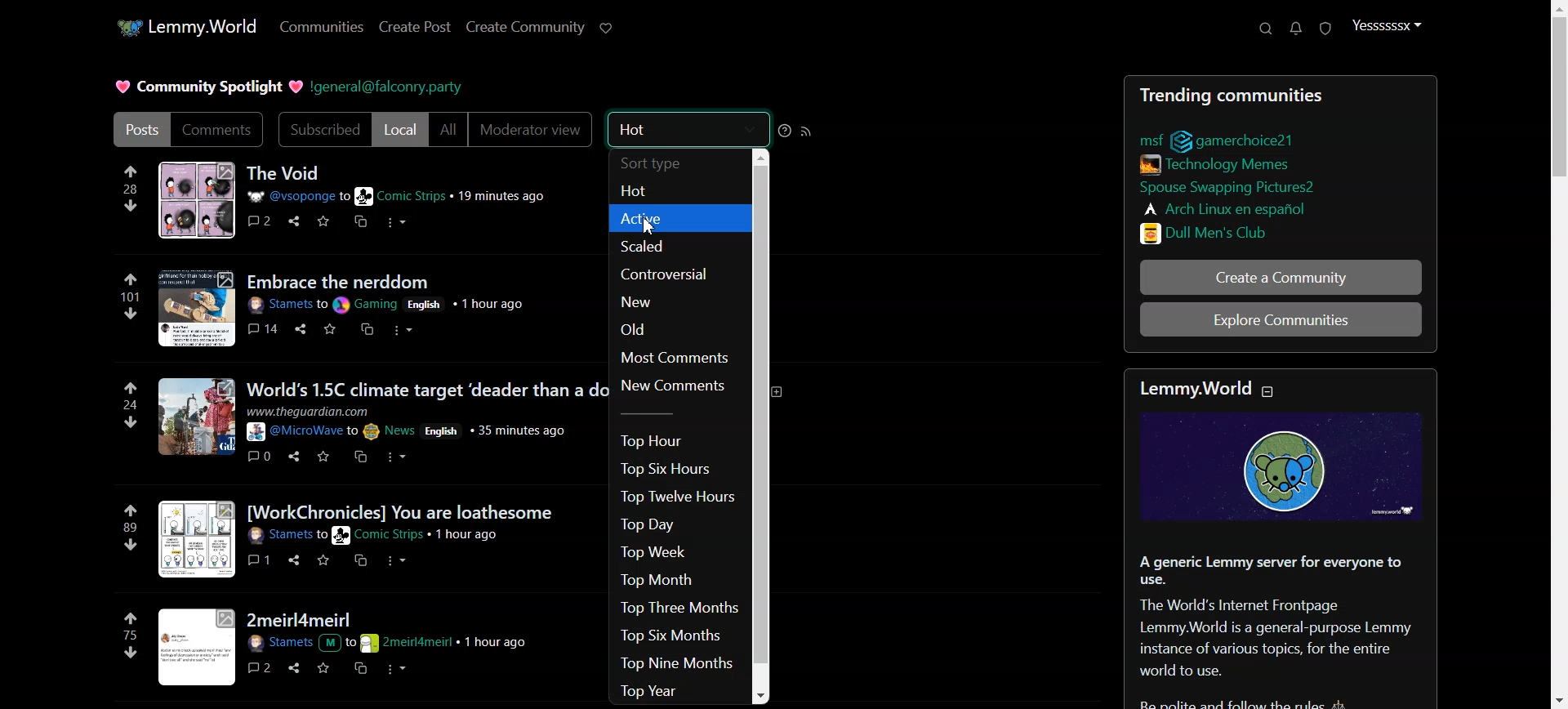 Image resolution: width=1568 pixels, height=709 pixels. I want to click on image, so click(196, 419).